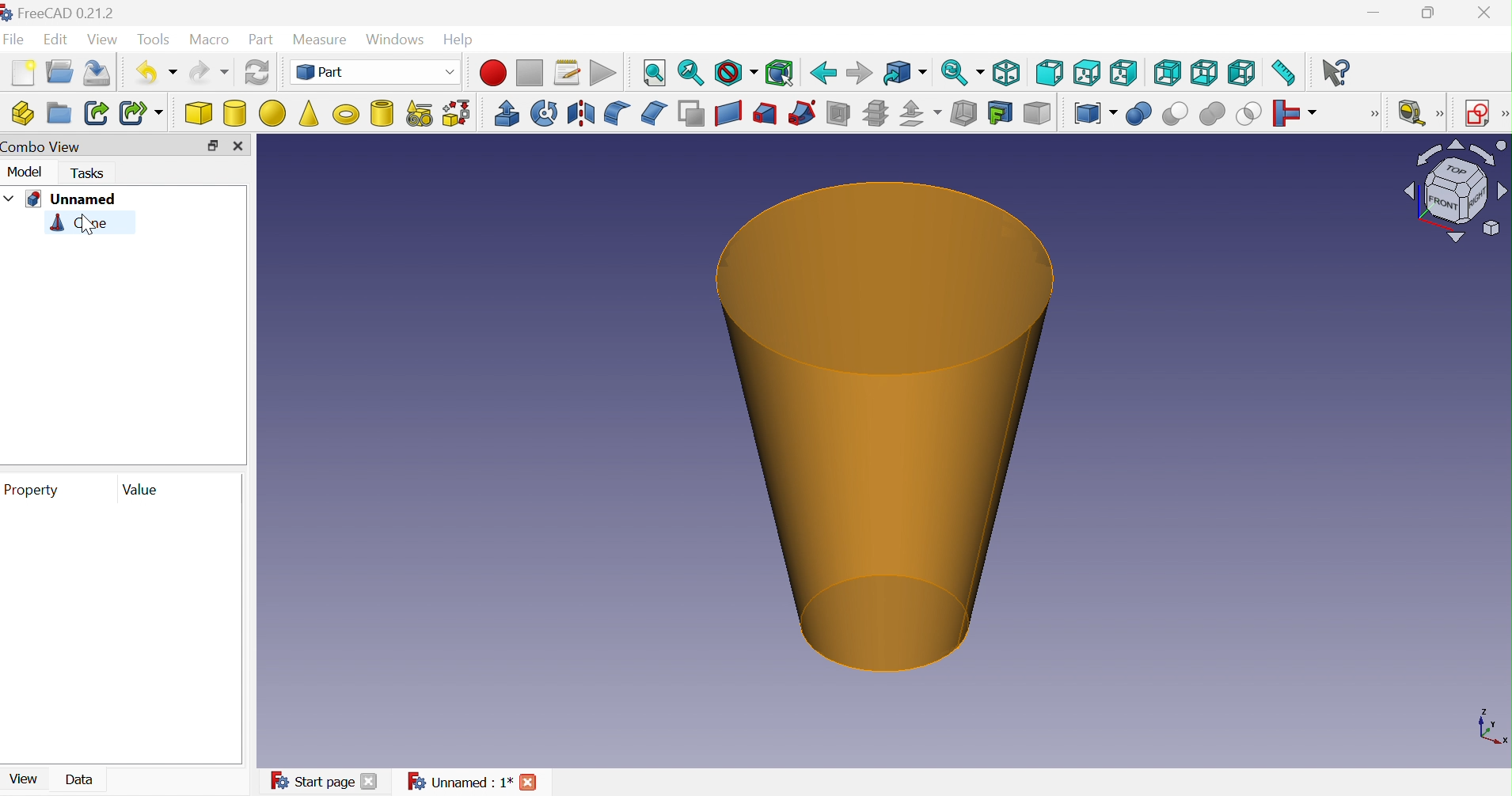 The width and height of the screenshot is (1512, 796). What do you see at coordinates (885, 425) in the screenshot?
I see `Cone (FreeCAD Design)` at bounding box center [885, 425].